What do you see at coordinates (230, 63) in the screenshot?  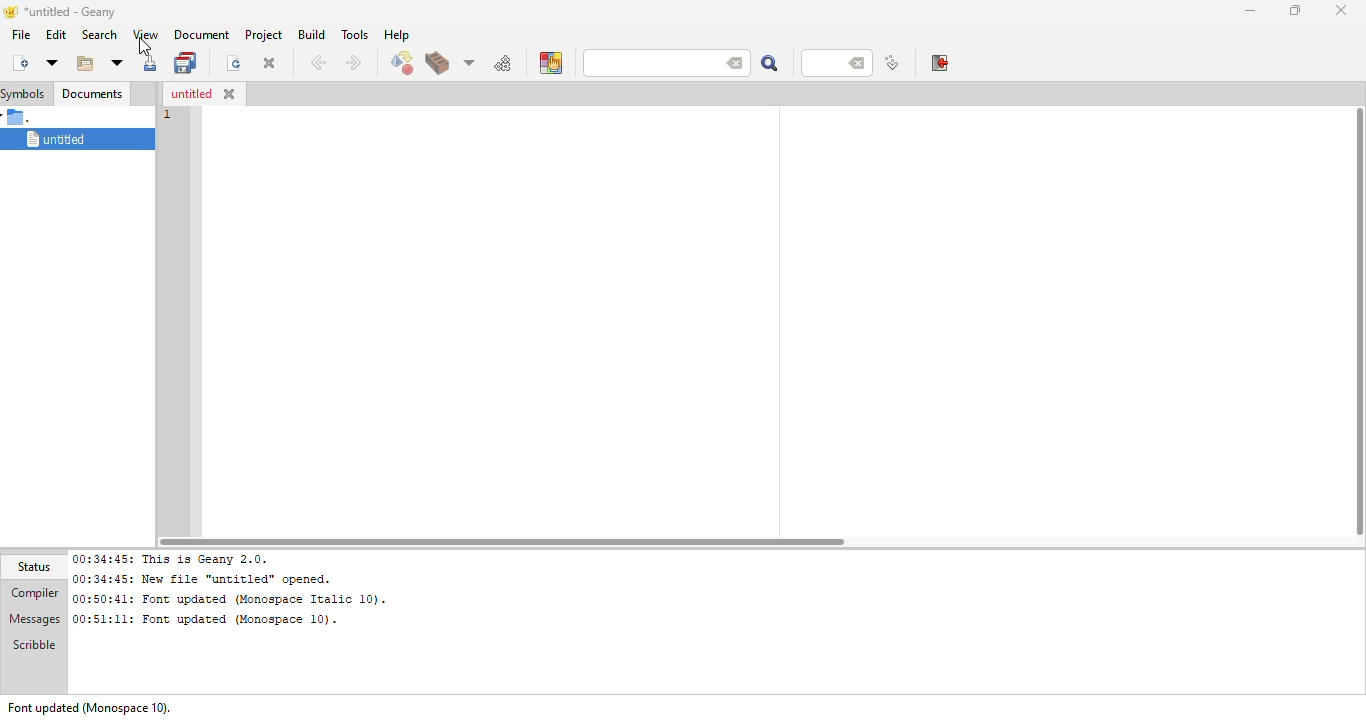 I see `reload` at bounding box center [230, 63].